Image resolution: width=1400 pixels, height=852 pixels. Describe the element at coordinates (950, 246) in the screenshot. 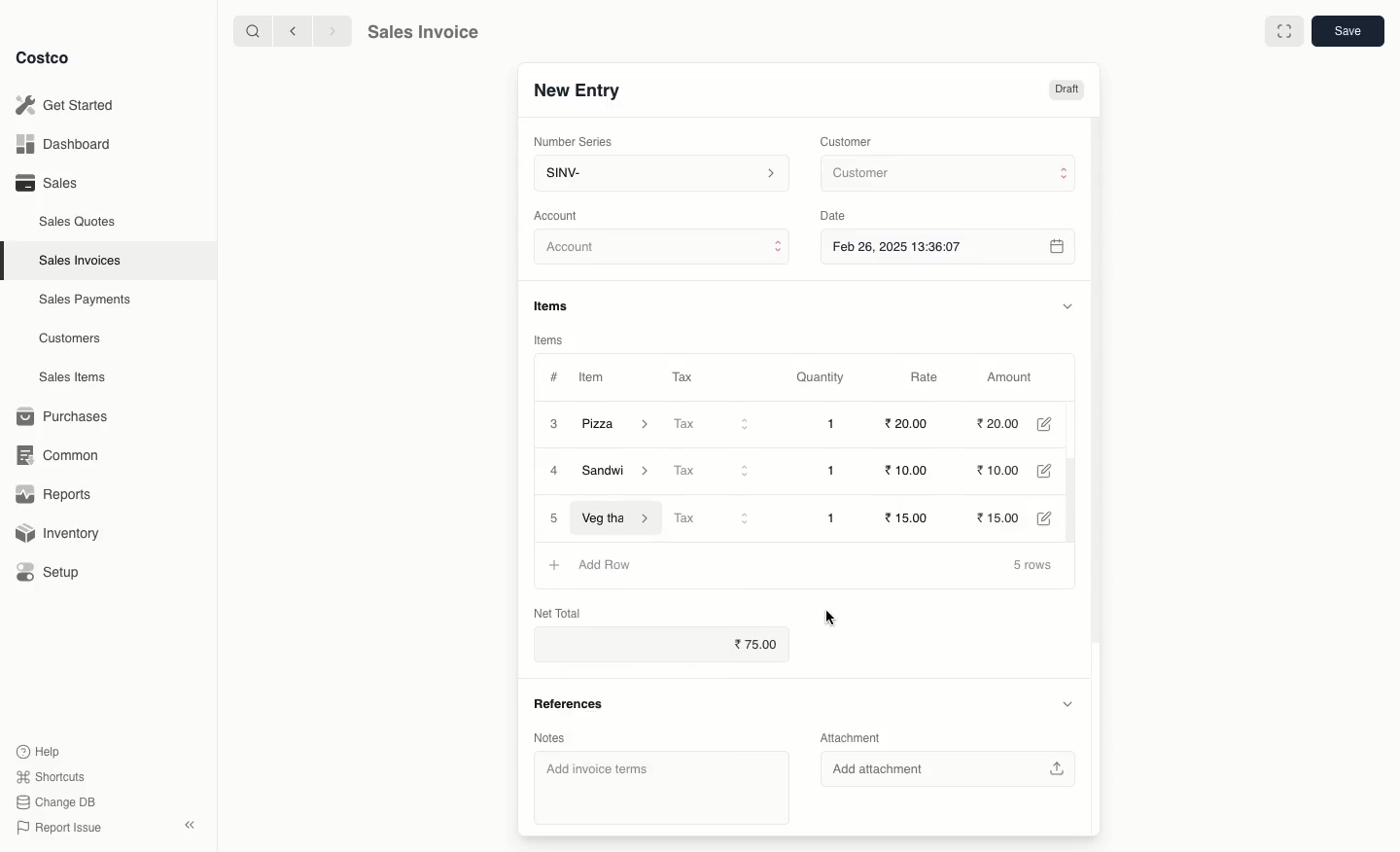

I see `Feb 26, 2025 13:36:07` at that location.